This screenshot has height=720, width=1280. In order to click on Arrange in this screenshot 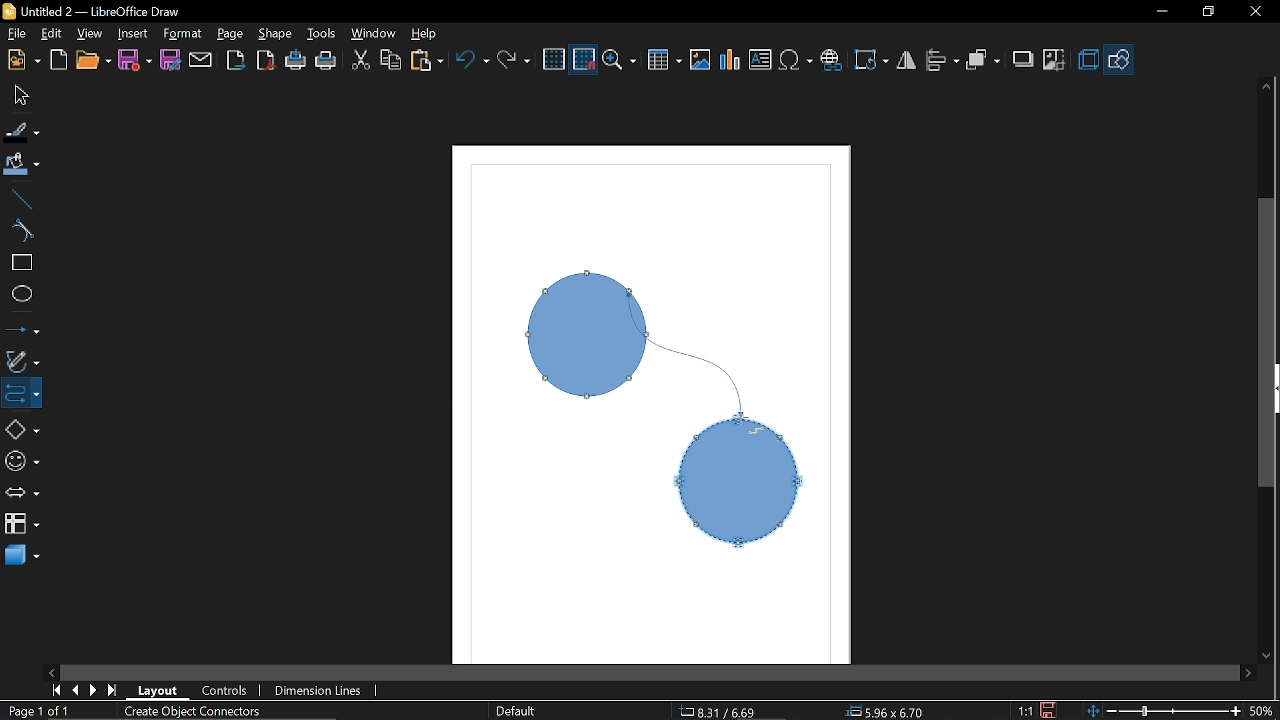, I will do `click(984, 61)`.